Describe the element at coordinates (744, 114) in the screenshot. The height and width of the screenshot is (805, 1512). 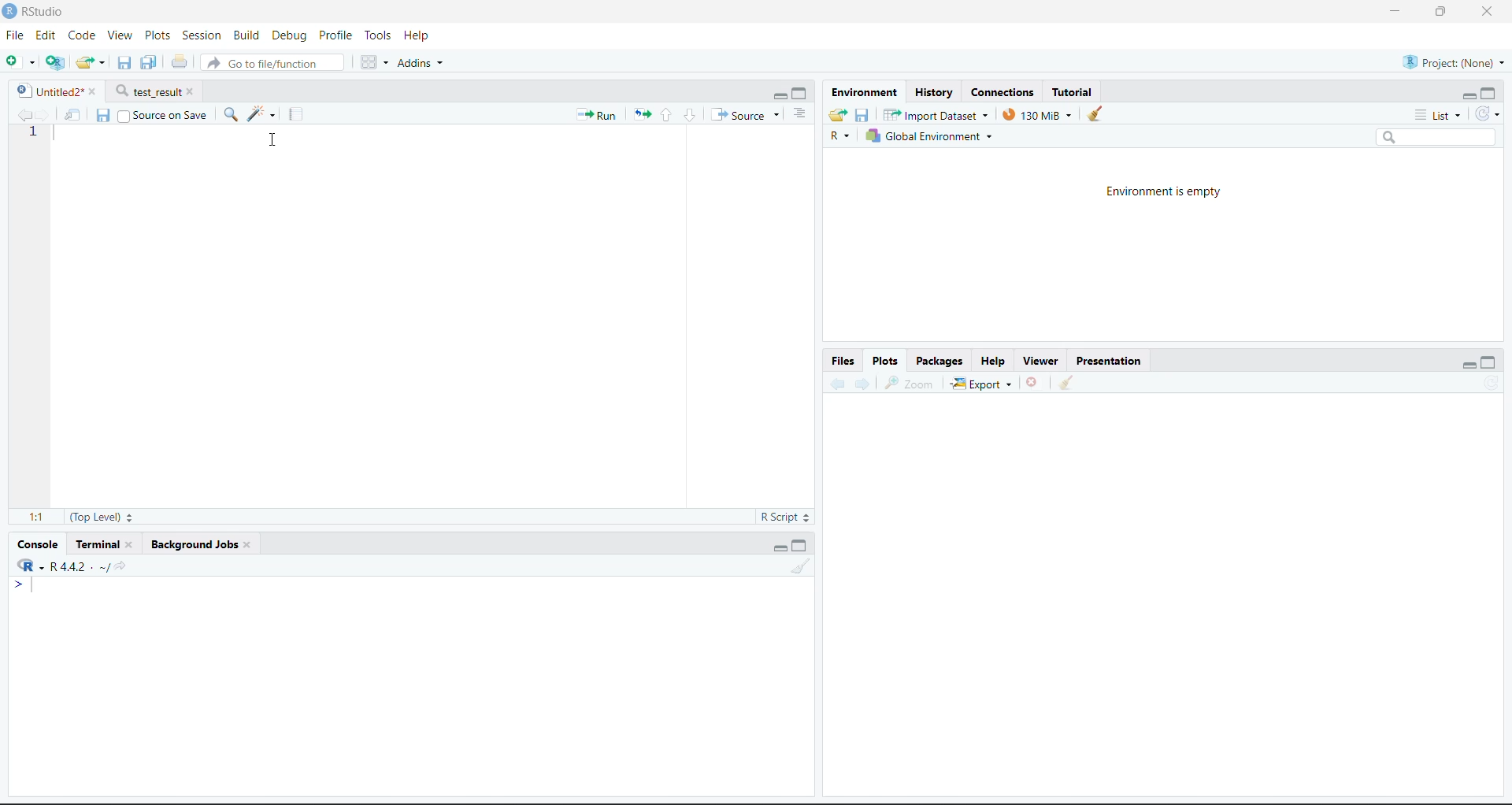
I see `Source` at that location.